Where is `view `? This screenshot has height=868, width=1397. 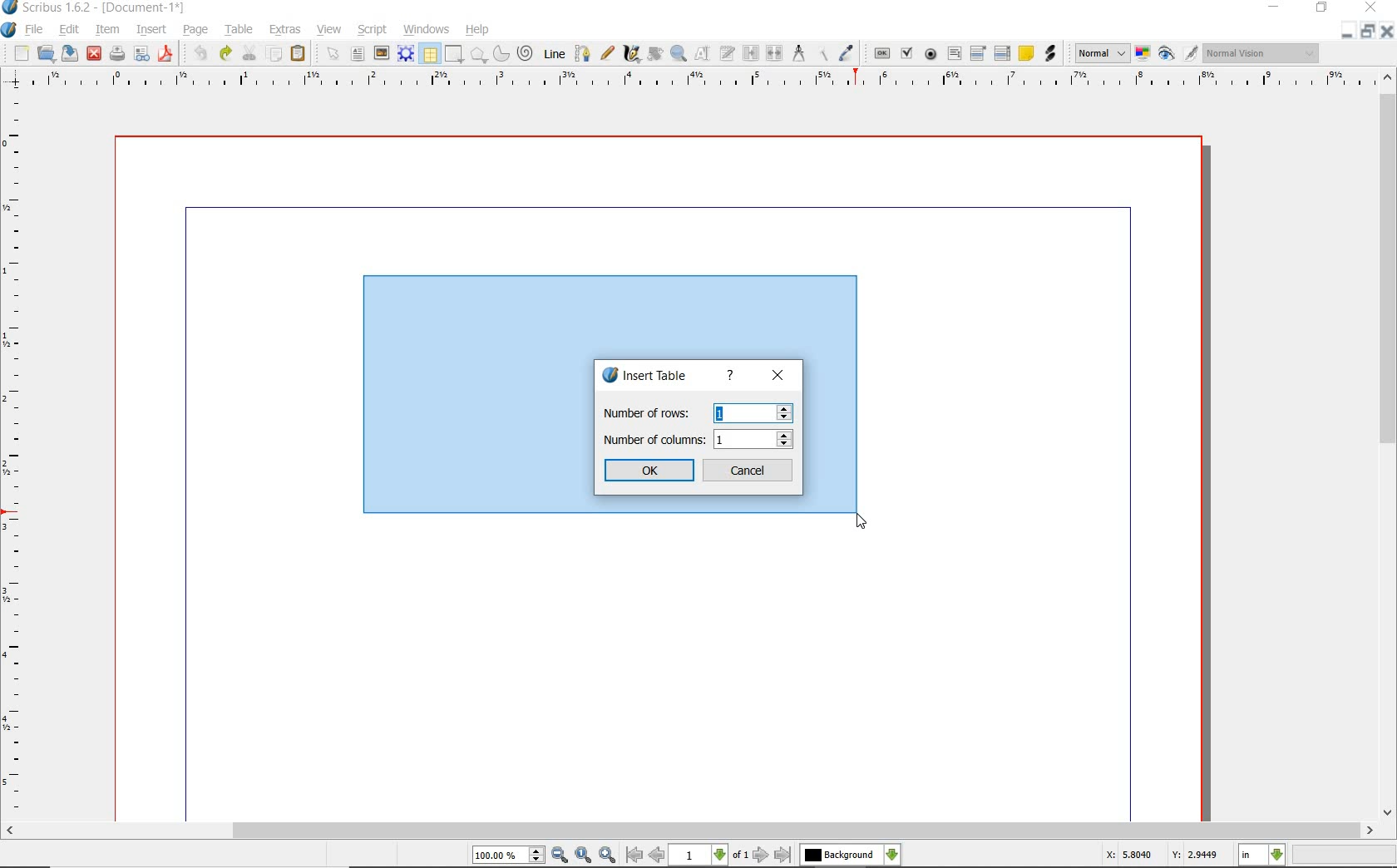
view  is located at coordinates (332, 30).